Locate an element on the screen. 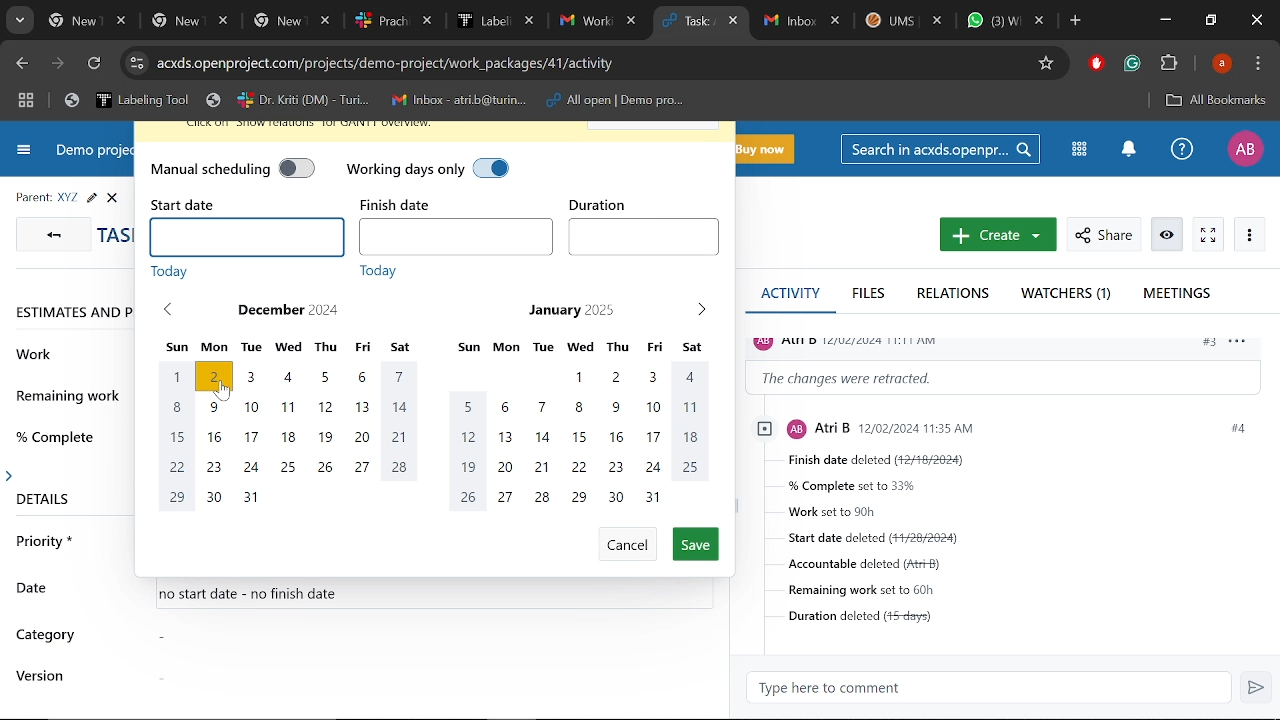 The image size is (1280, 720). profile is located at coordinates (956, 427).